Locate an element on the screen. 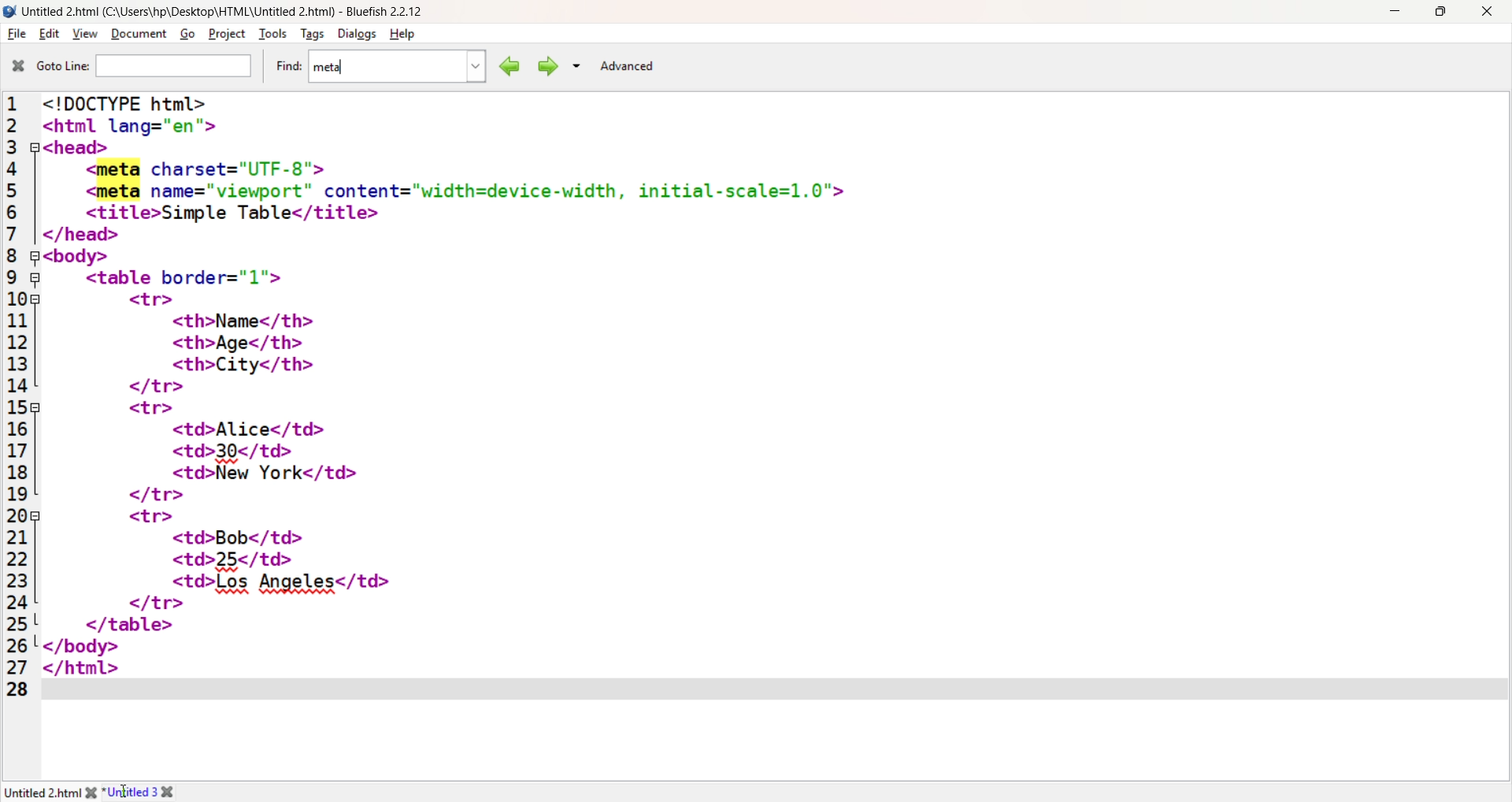  Find Previous is located at coordinates (507, 66).